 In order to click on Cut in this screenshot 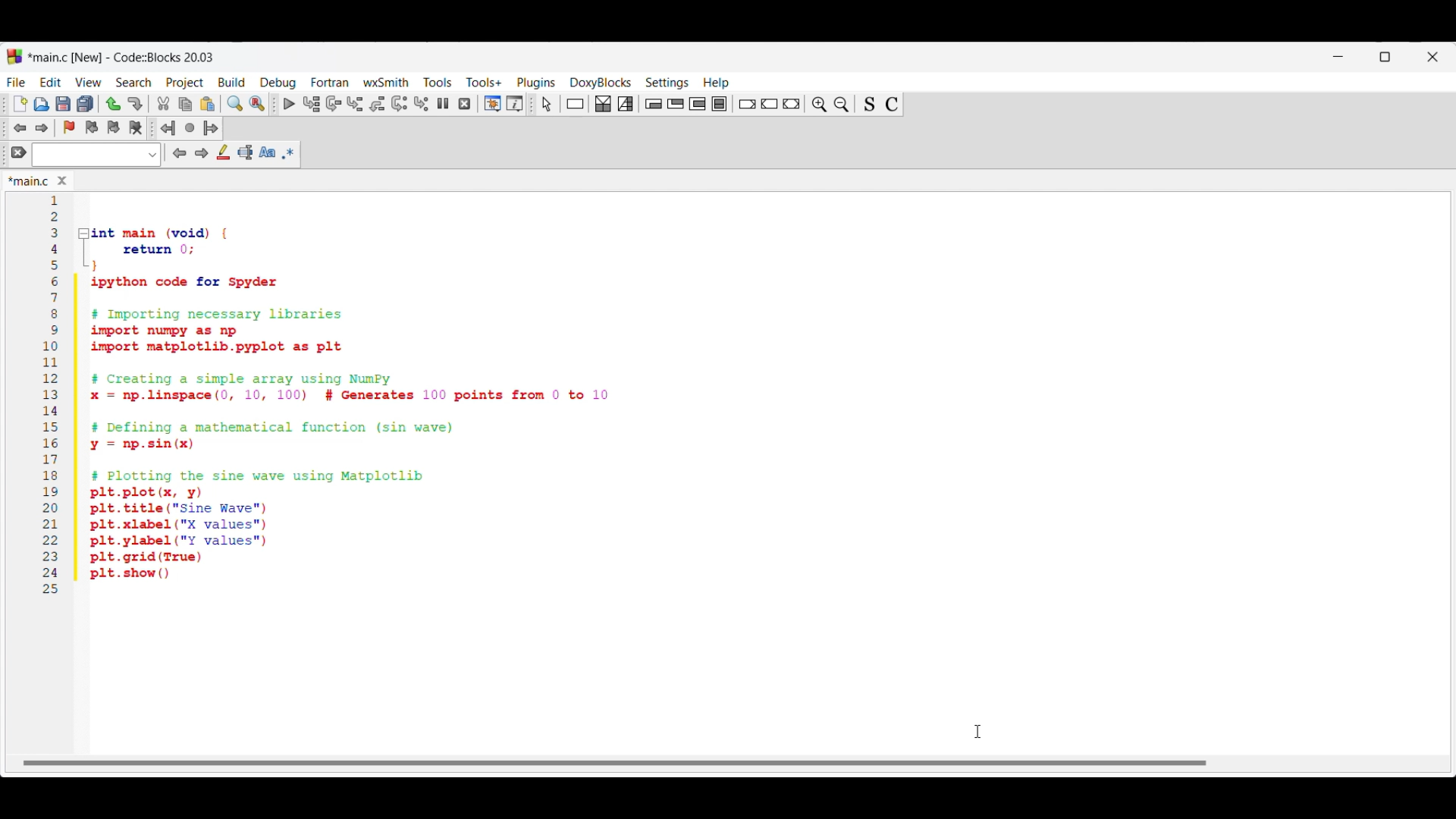, I will do `click(164, 103)`.